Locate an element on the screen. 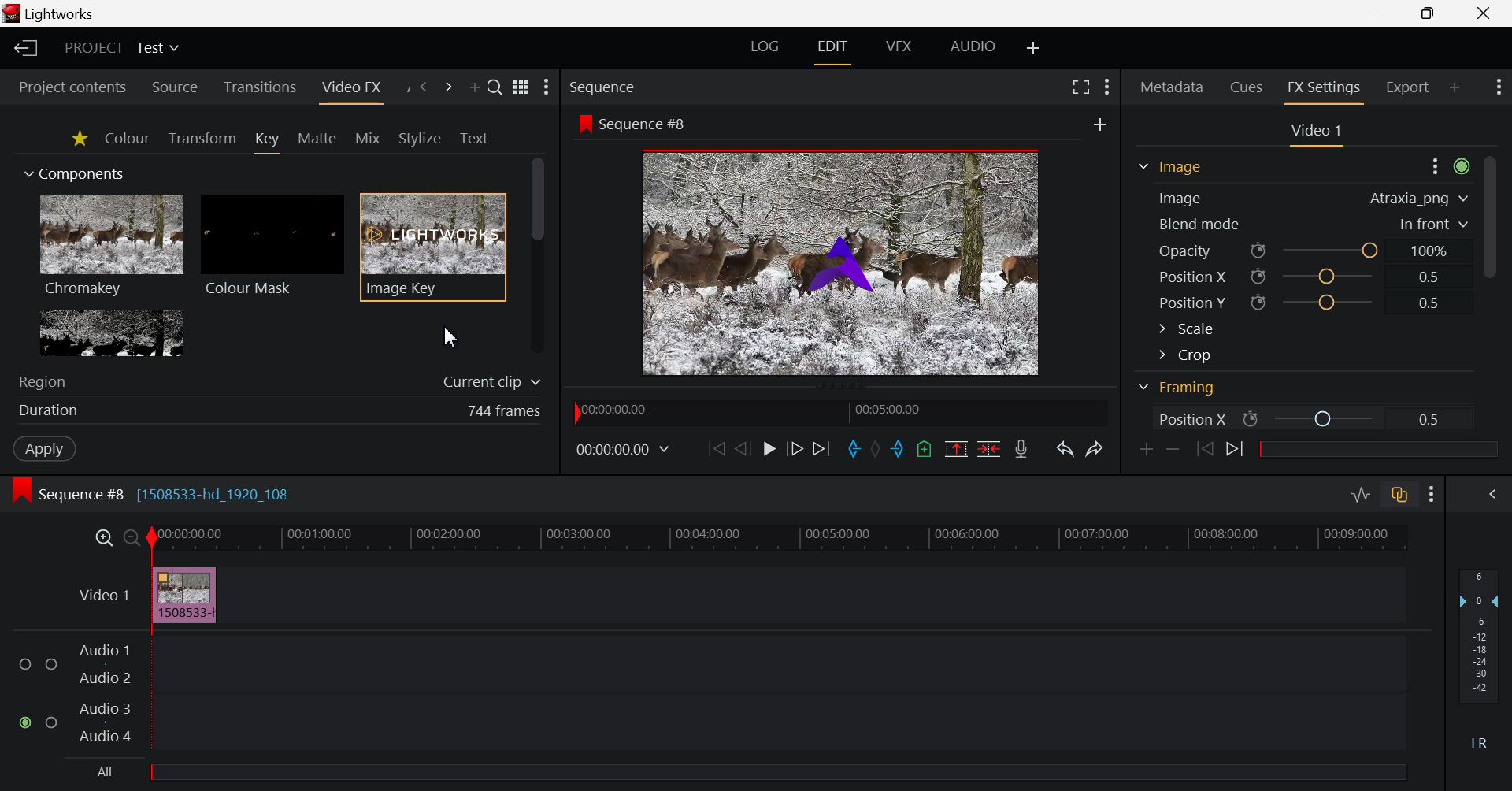  00:00:00:00 is located at coordinates (622, 447).